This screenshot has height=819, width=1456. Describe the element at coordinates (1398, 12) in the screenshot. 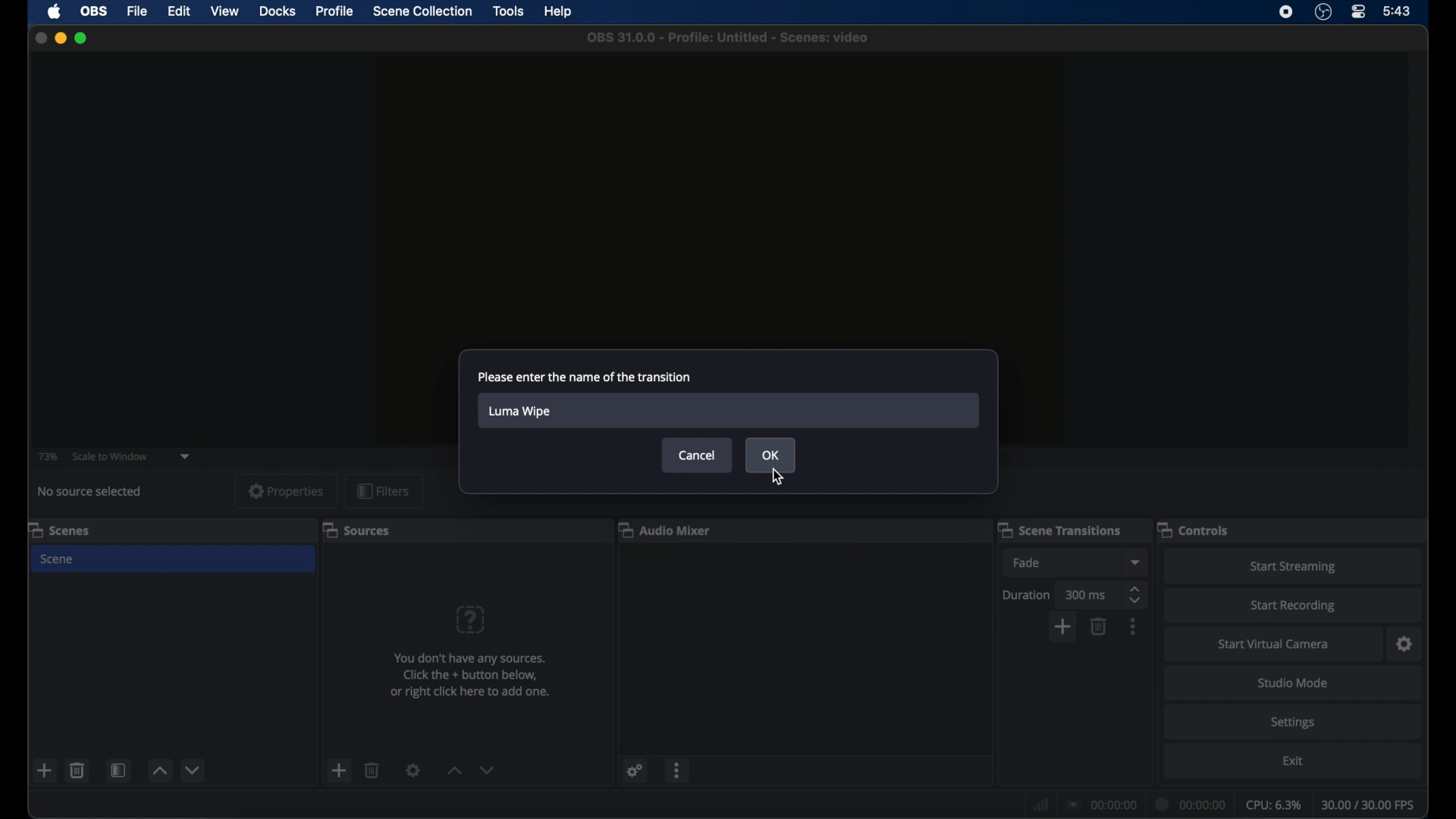

I see `time` at that location.